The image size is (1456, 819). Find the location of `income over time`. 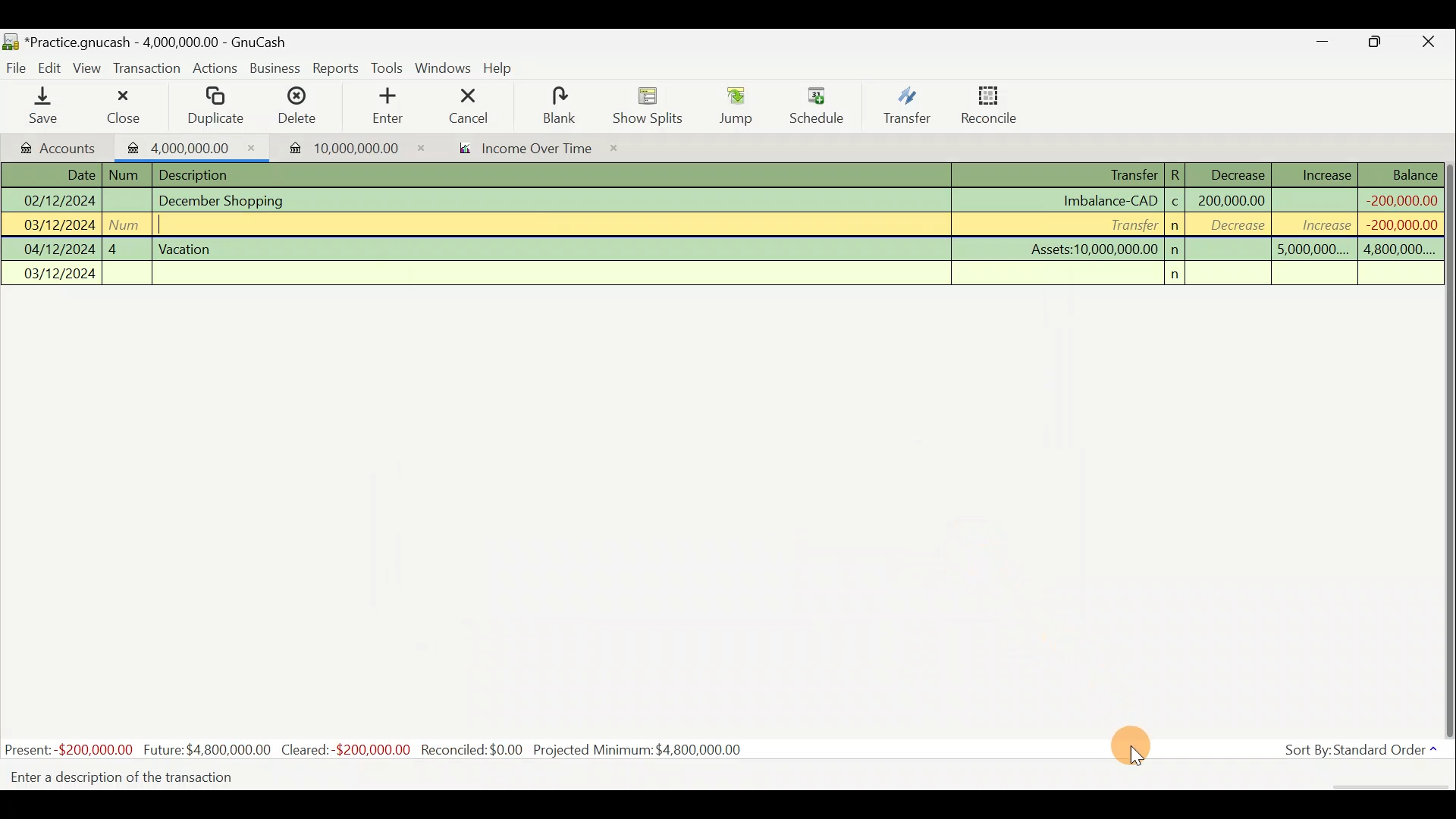

income over time is located at coordinates (536, 149).